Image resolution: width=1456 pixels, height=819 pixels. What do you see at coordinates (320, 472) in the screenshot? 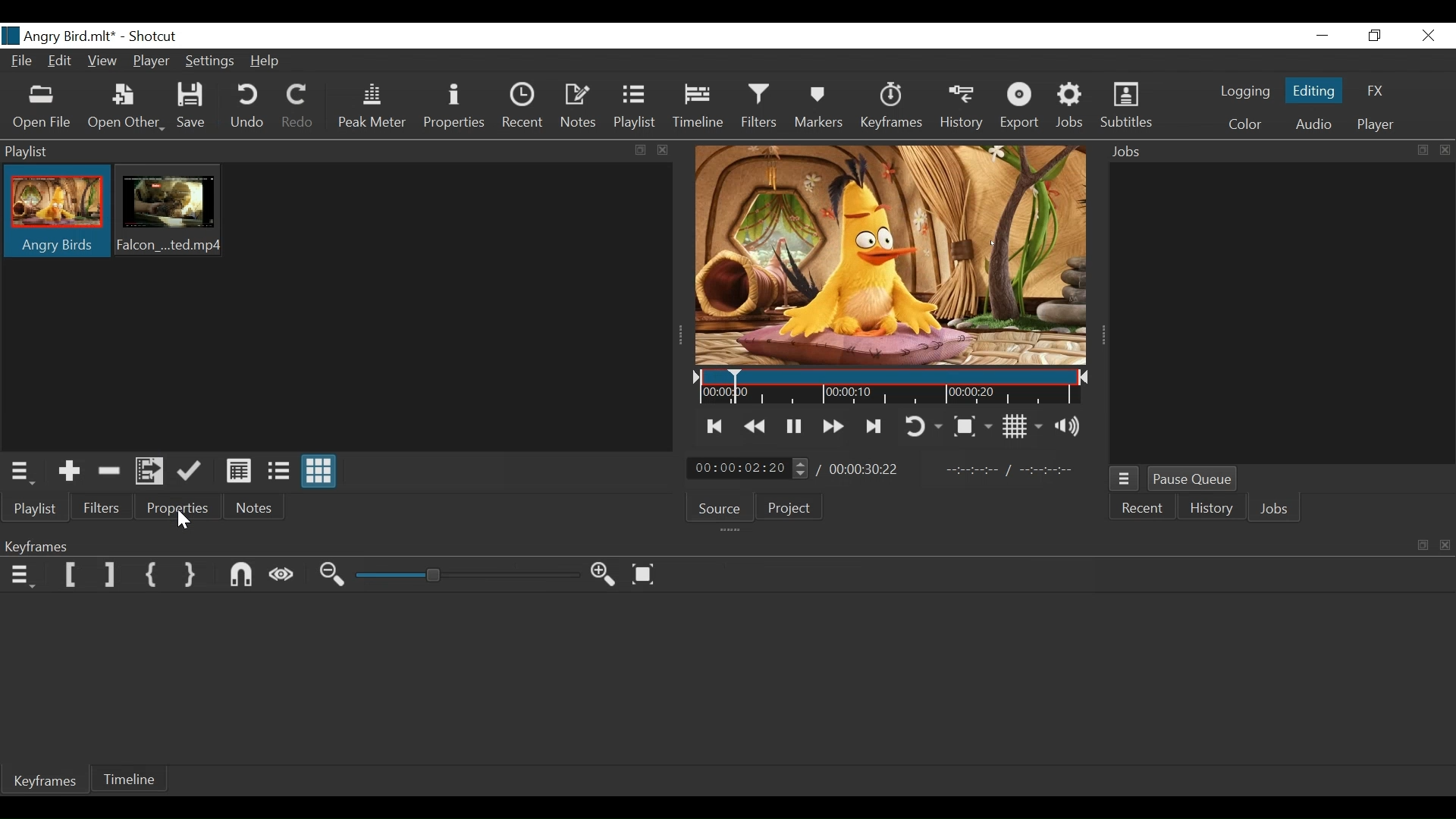
I see `View as icons` at bounding box center [320, 472].